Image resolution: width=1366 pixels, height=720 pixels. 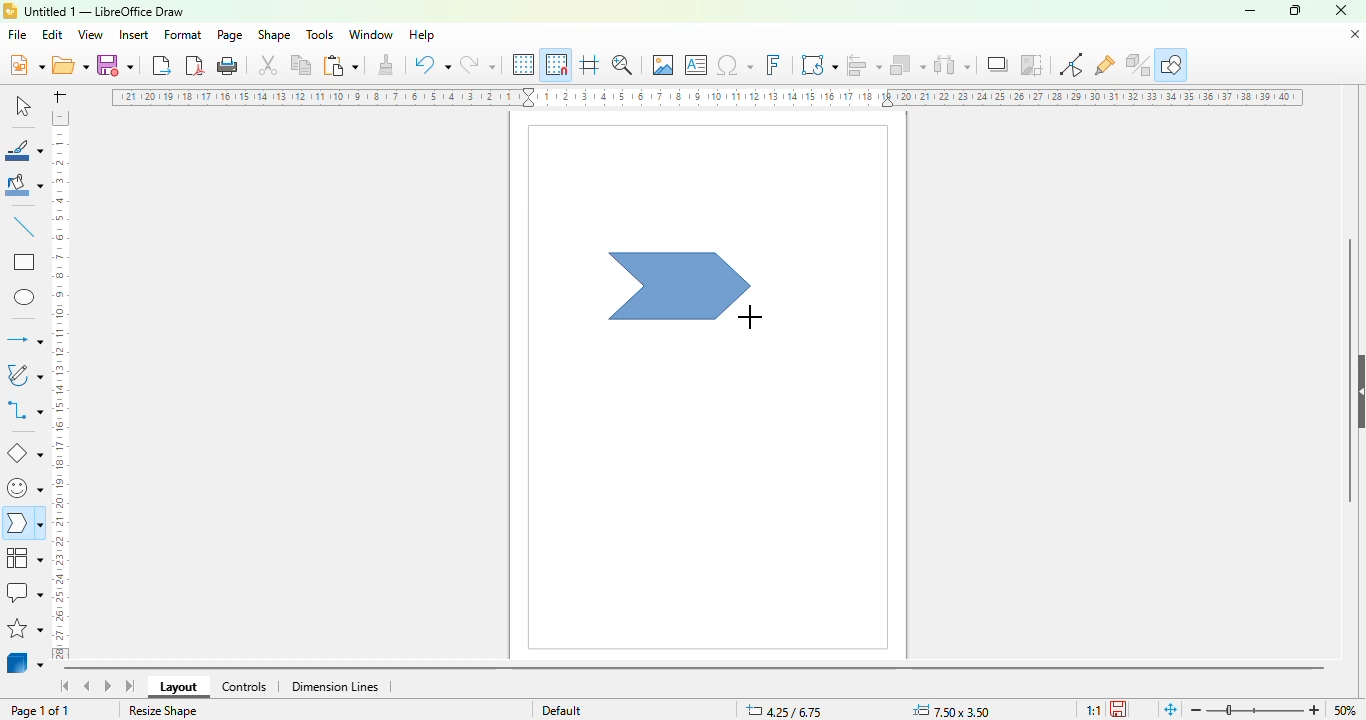 What do you see at coordinates (1197, 710) in the screenshot?
I see `zoom out` at bounding box center [1197, 710].